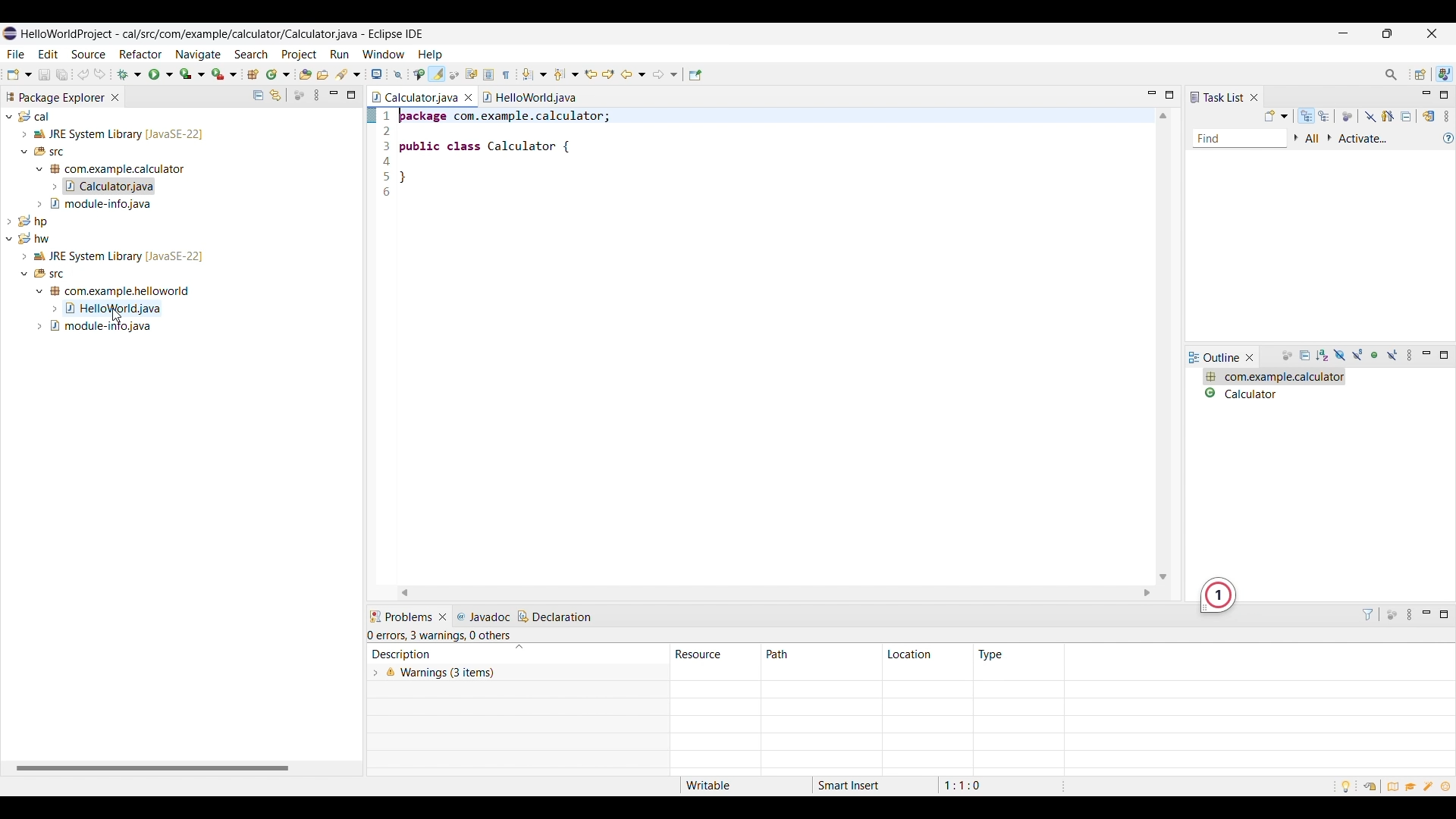 The height and width of the screenshot is (819, 1456). What do you see at coordinates (1250, 357) in the screenshot?
I see `Close` at bounding box center [1250, 357].